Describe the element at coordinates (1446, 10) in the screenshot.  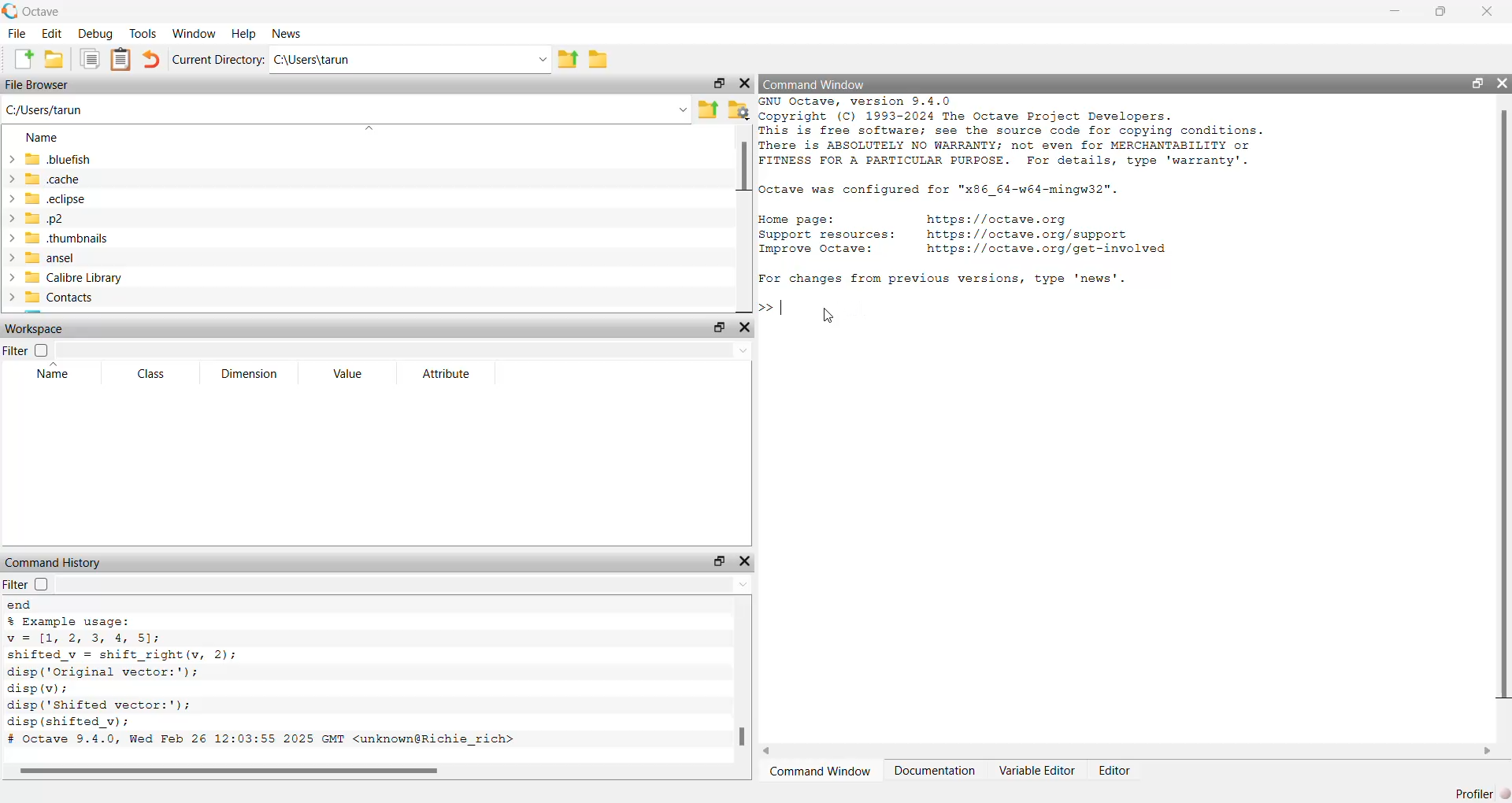
I see `maximize` at that location.